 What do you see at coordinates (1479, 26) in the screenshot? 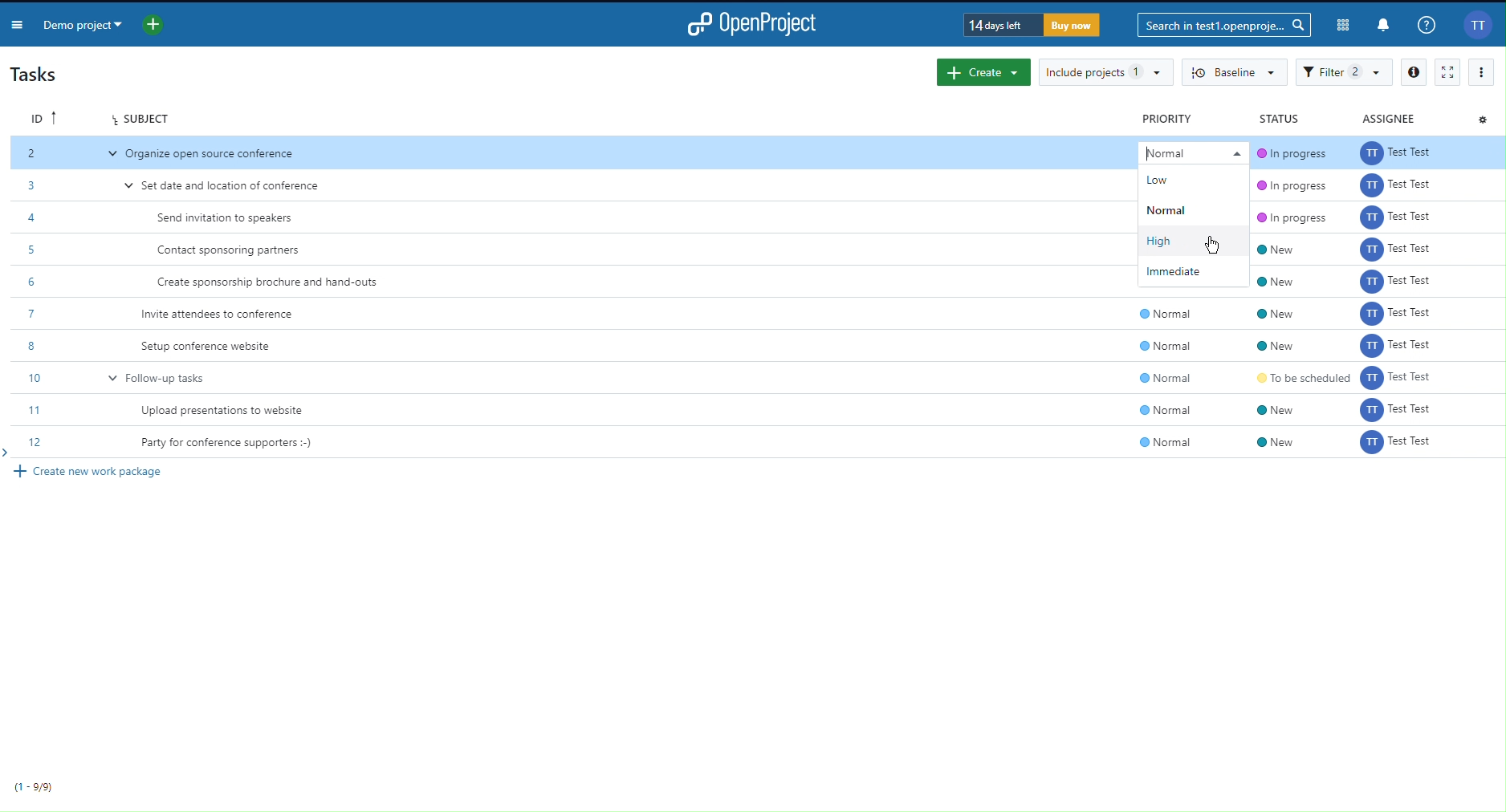
I see `Account` at bounding box center [1479, 26].